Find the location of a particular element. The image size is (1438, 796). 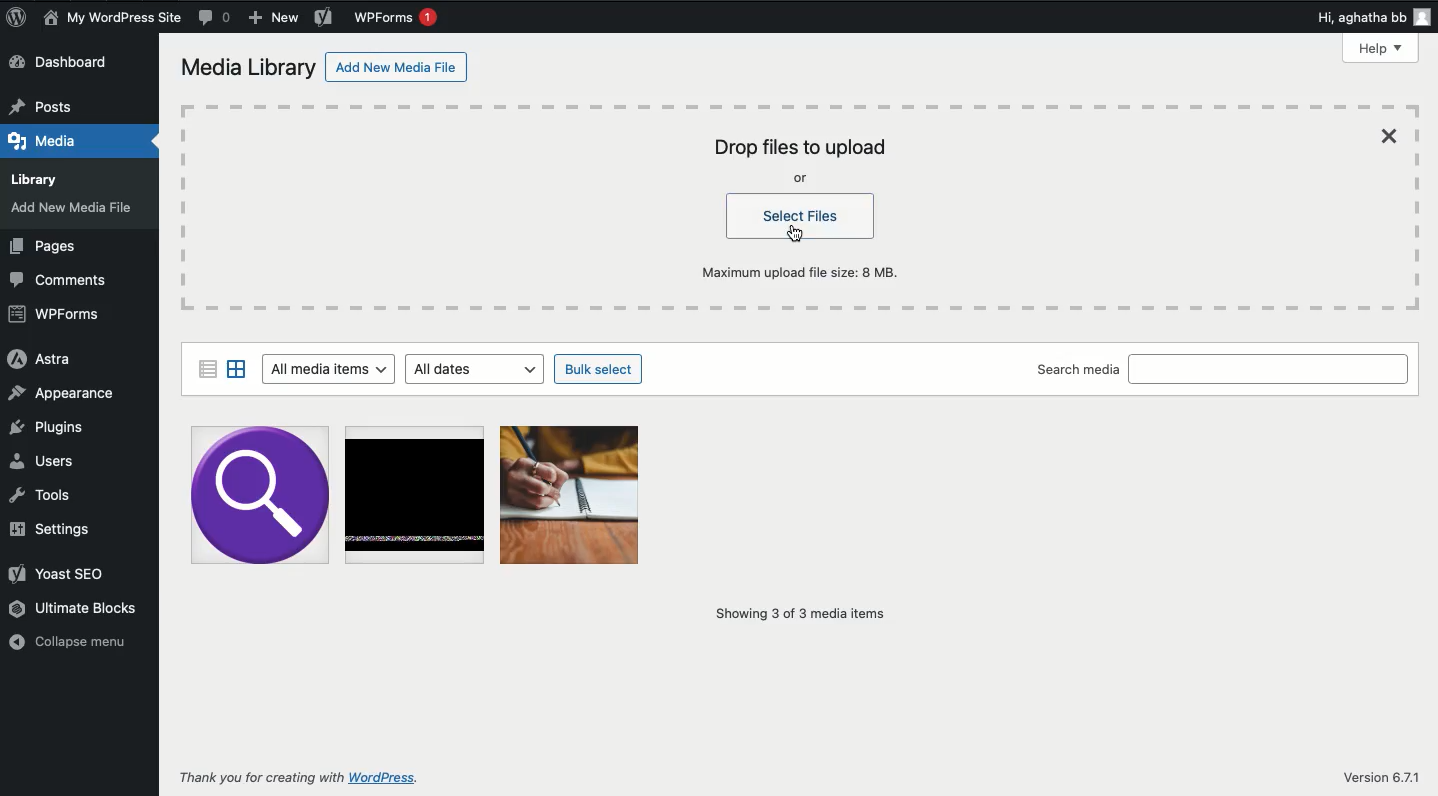

Drop files to upload is located at coordinates (799, 148).